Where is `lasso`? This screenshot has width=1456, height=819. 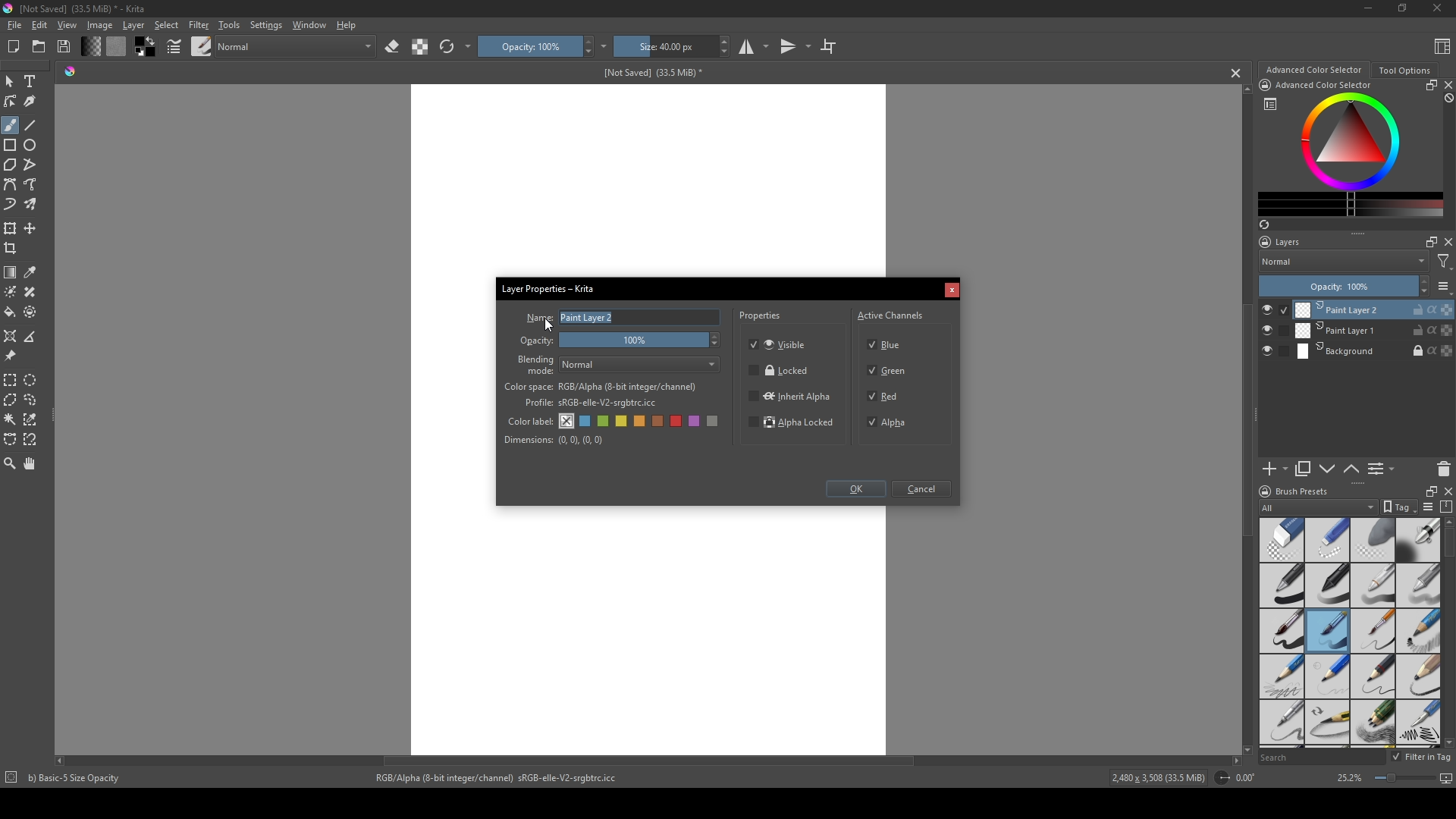 lasso is located at coordinates (32, 400).